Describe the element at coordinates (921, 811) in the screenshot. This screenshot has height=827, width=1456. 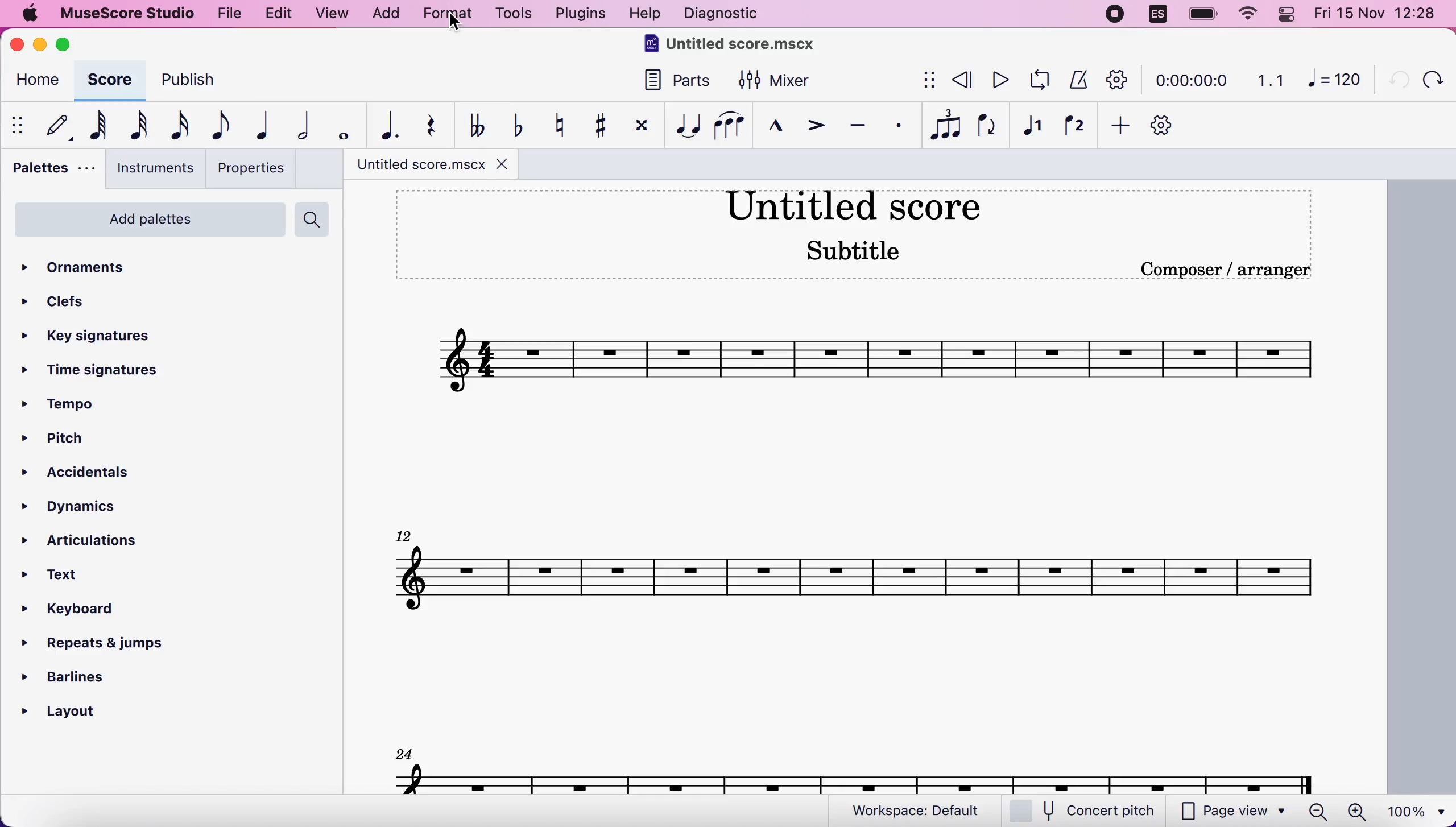
I see `workspace: default` at that location.